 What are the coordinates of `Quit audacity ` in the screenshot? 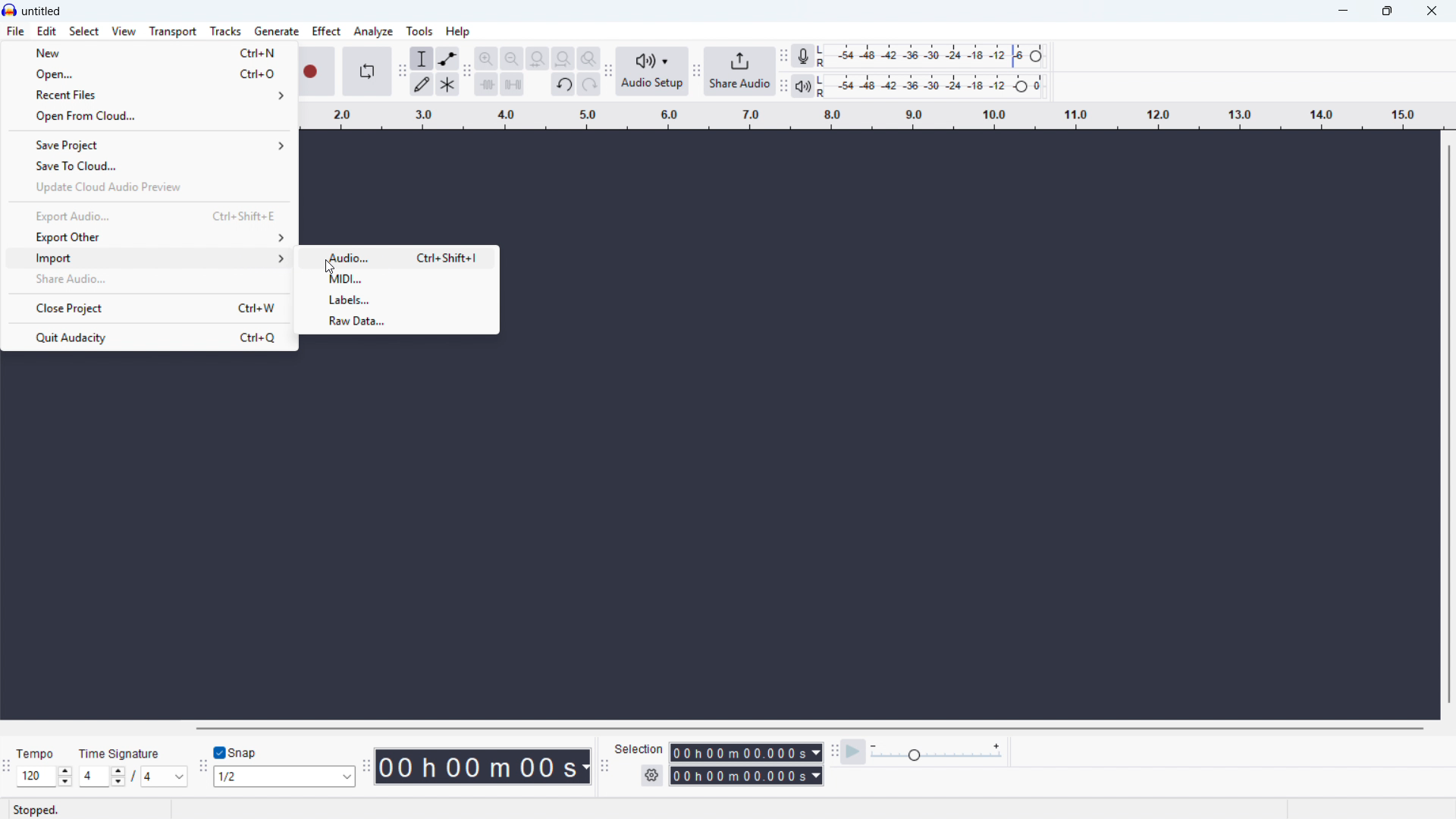 It's located at (147, 338).